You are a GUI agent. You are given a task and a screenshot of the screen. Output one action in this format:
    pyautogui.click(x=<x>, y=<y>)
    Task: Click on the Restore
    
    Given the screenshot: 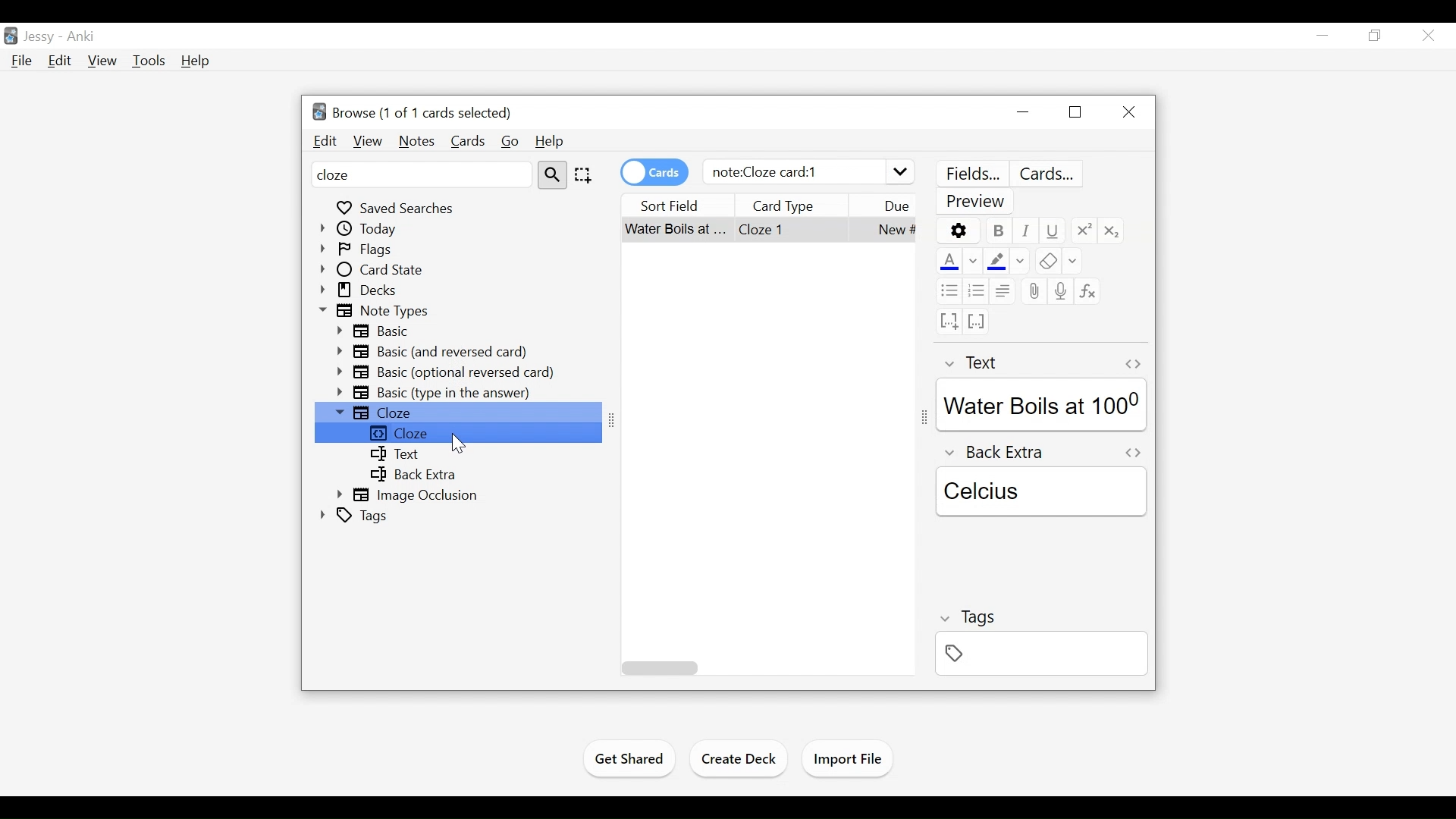 What is the action you would take?
    pyautogui.click(x=1077, y=112)
    